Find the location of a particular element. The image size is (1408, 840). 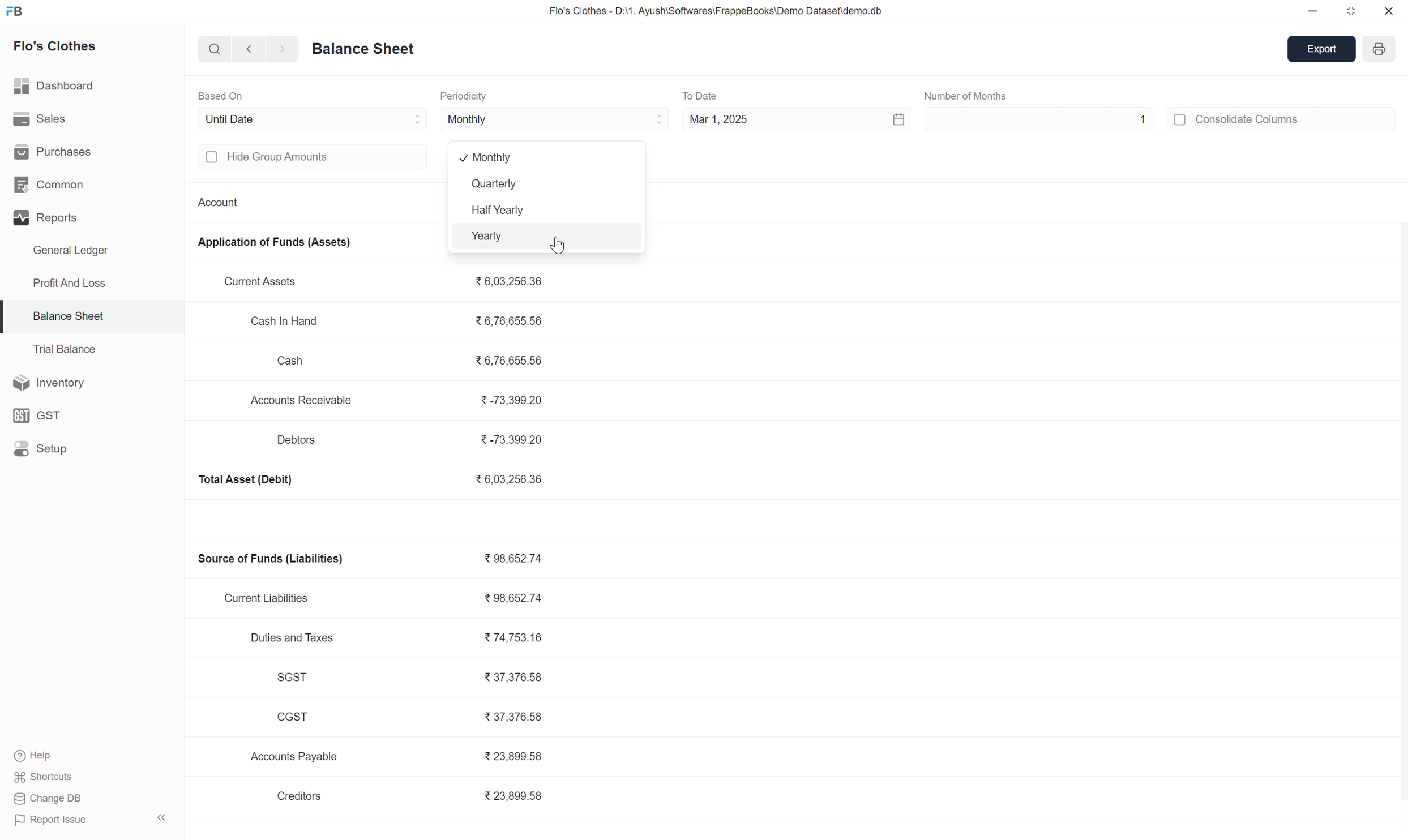

To Date is located at coordinates (704, 92).